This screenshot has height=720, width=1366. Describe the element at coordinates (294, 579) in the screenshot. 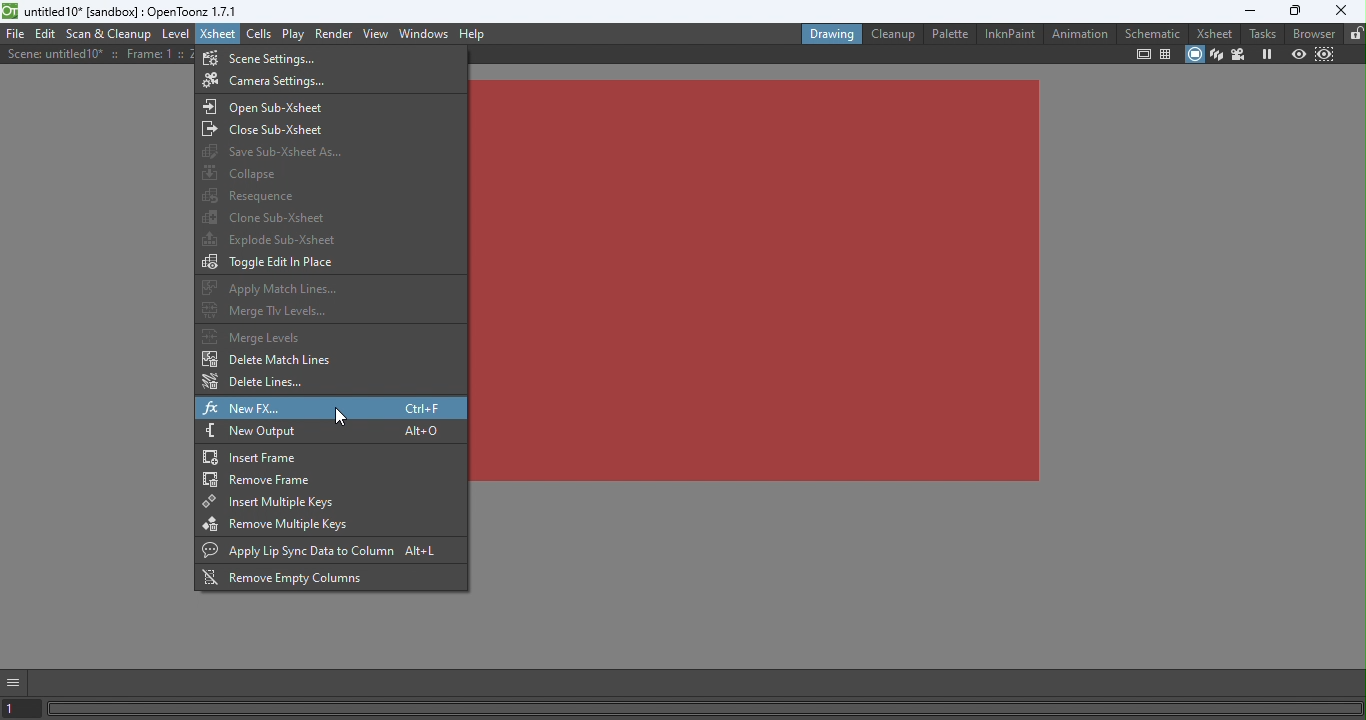

I see `Remove empty columns` at that location.